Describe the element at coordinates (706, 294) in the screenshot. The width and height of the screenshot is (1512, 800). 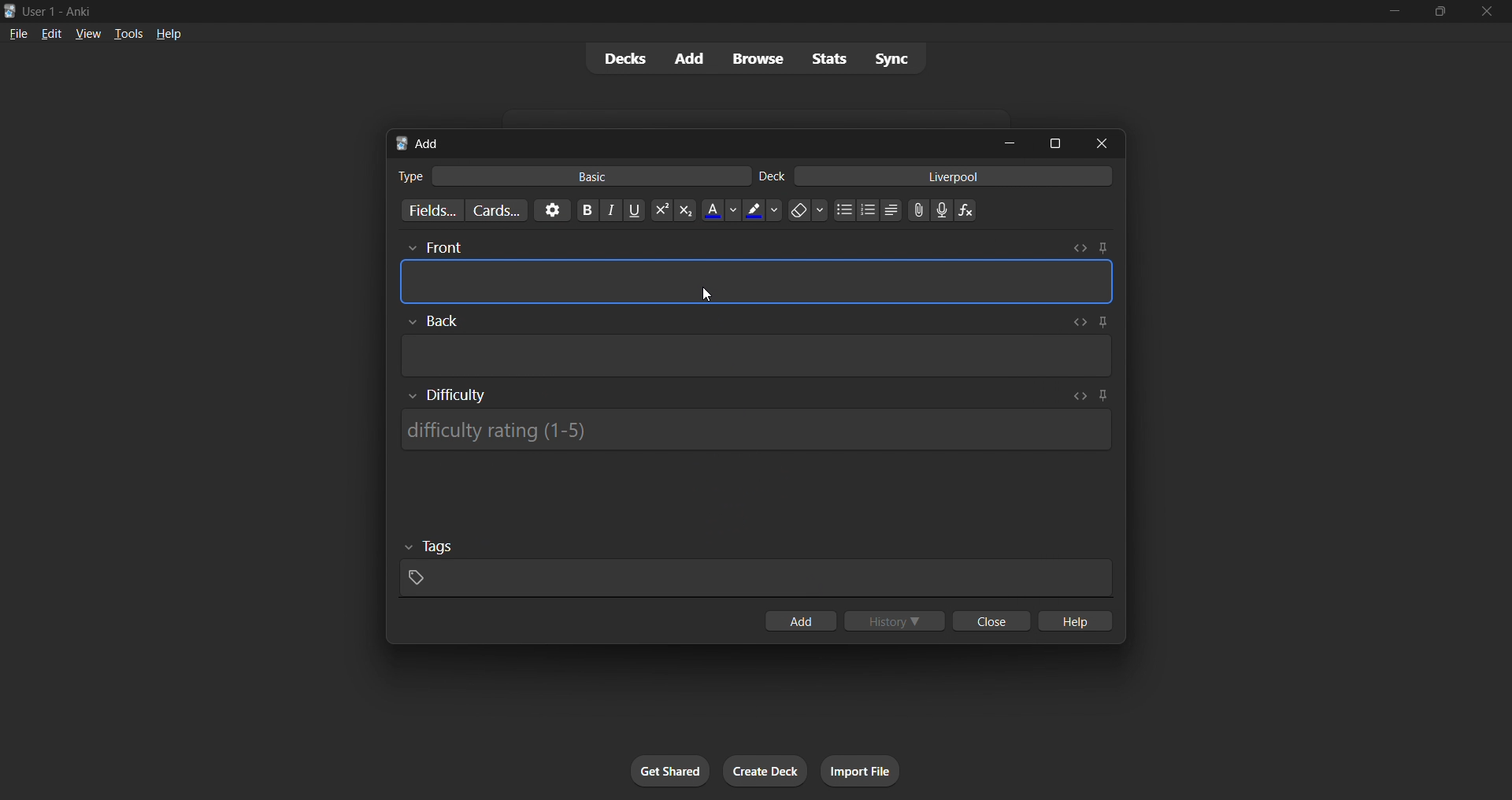
I see `Cursor` at that location.